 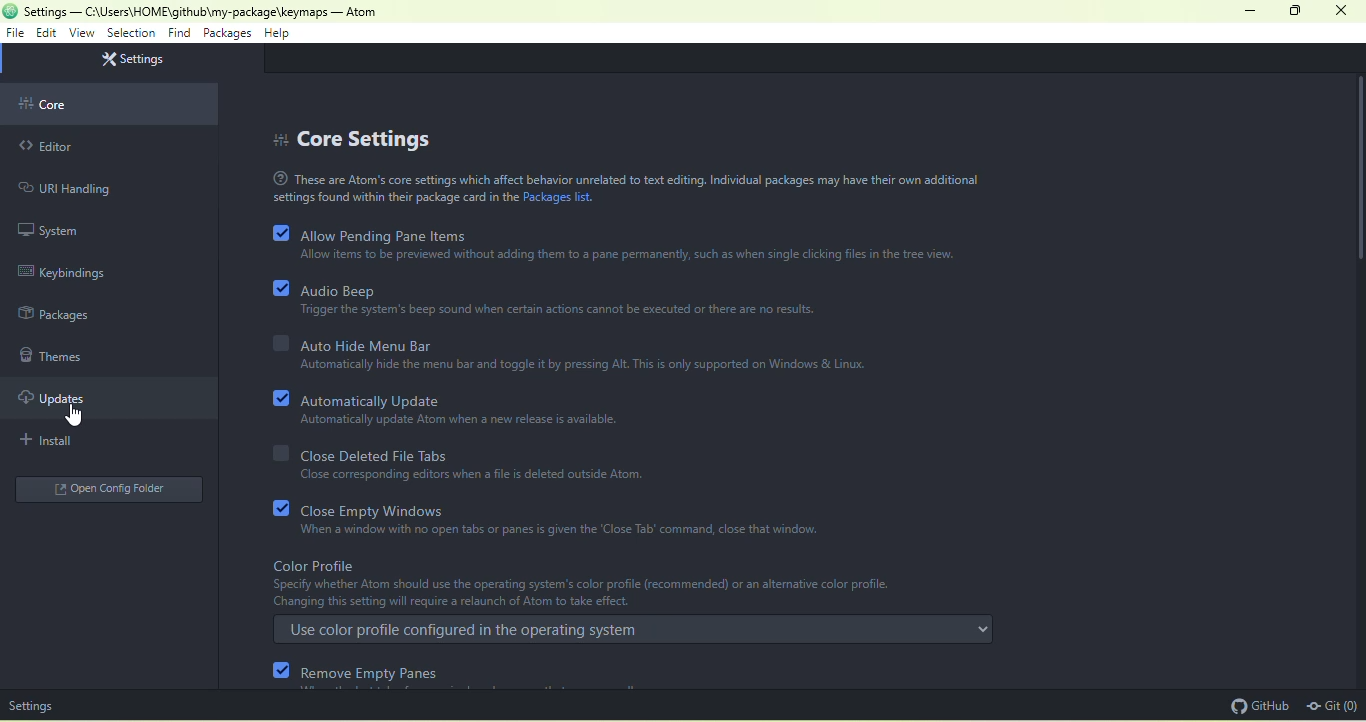 What do you see at coordinates (377, 455) in the screenshot?
I see `close deleted file tabs` at bounding box center [377, 455].